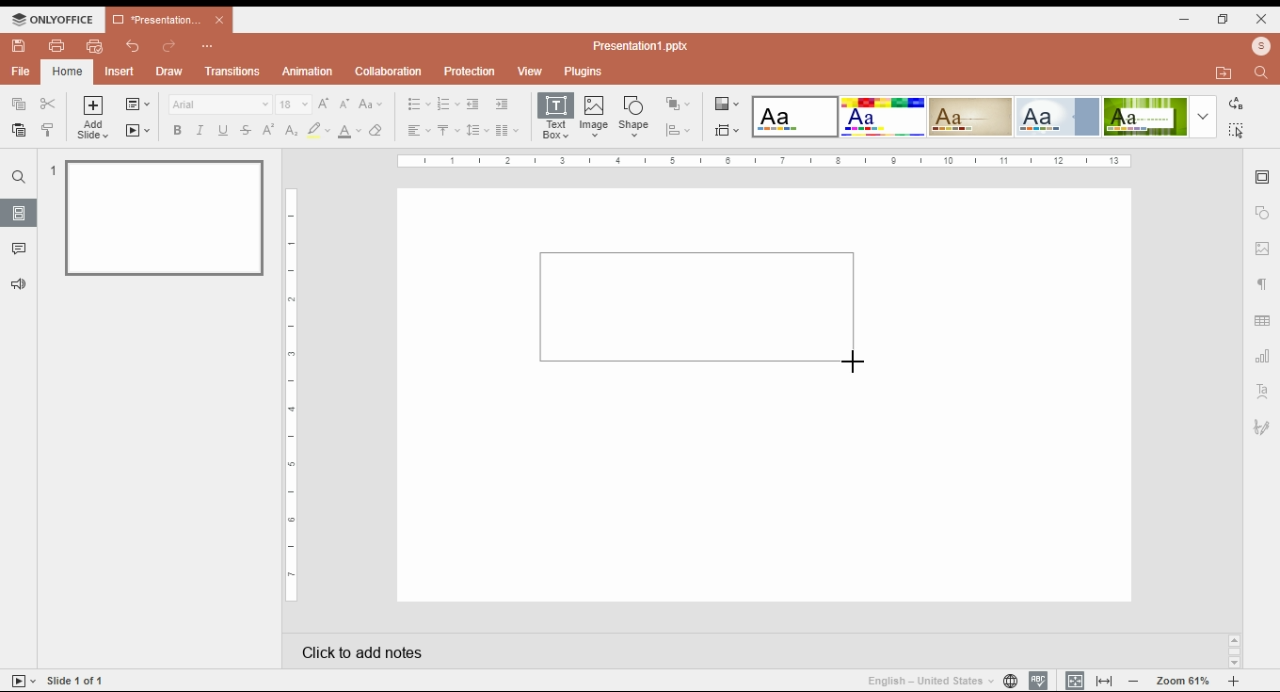  What do you see at coordinates (883, 117) in the screenshot?
I see `color theme` at bounding box center [883, 117].